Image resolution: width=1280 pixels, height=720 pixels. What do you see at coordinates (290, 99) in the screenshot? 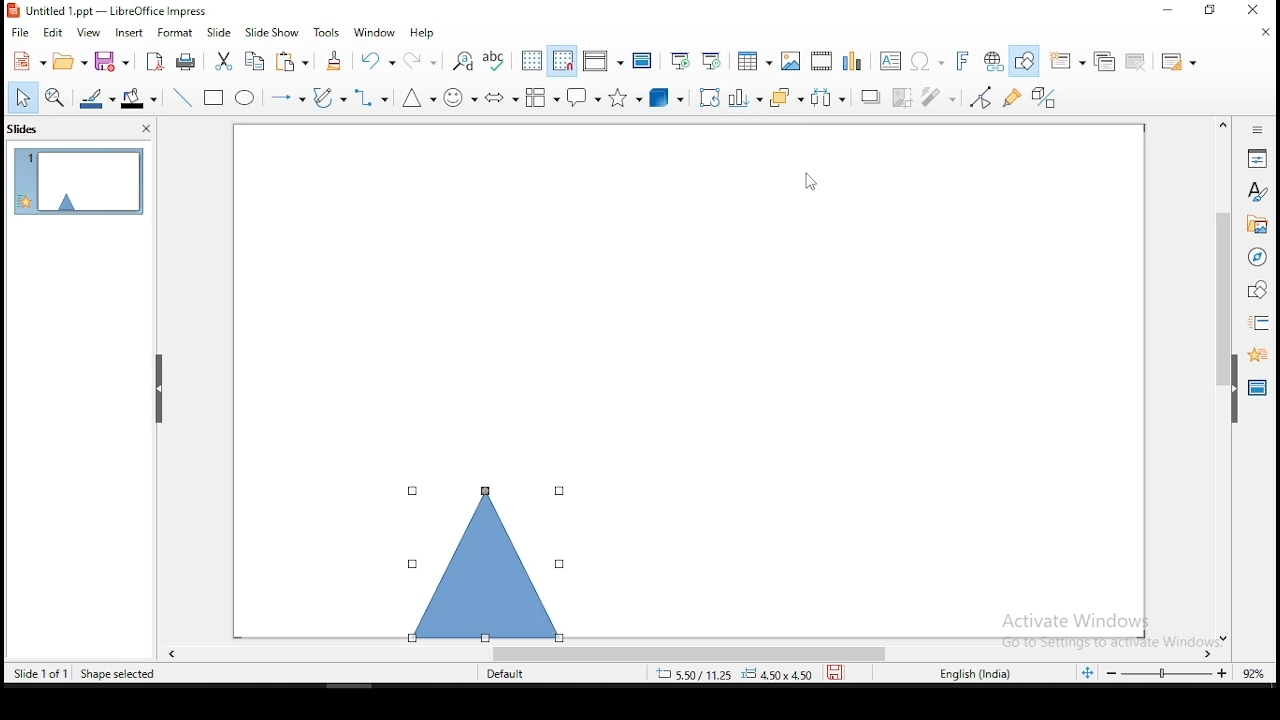
I see `lines and arrows` at bounding box center [290, 99].